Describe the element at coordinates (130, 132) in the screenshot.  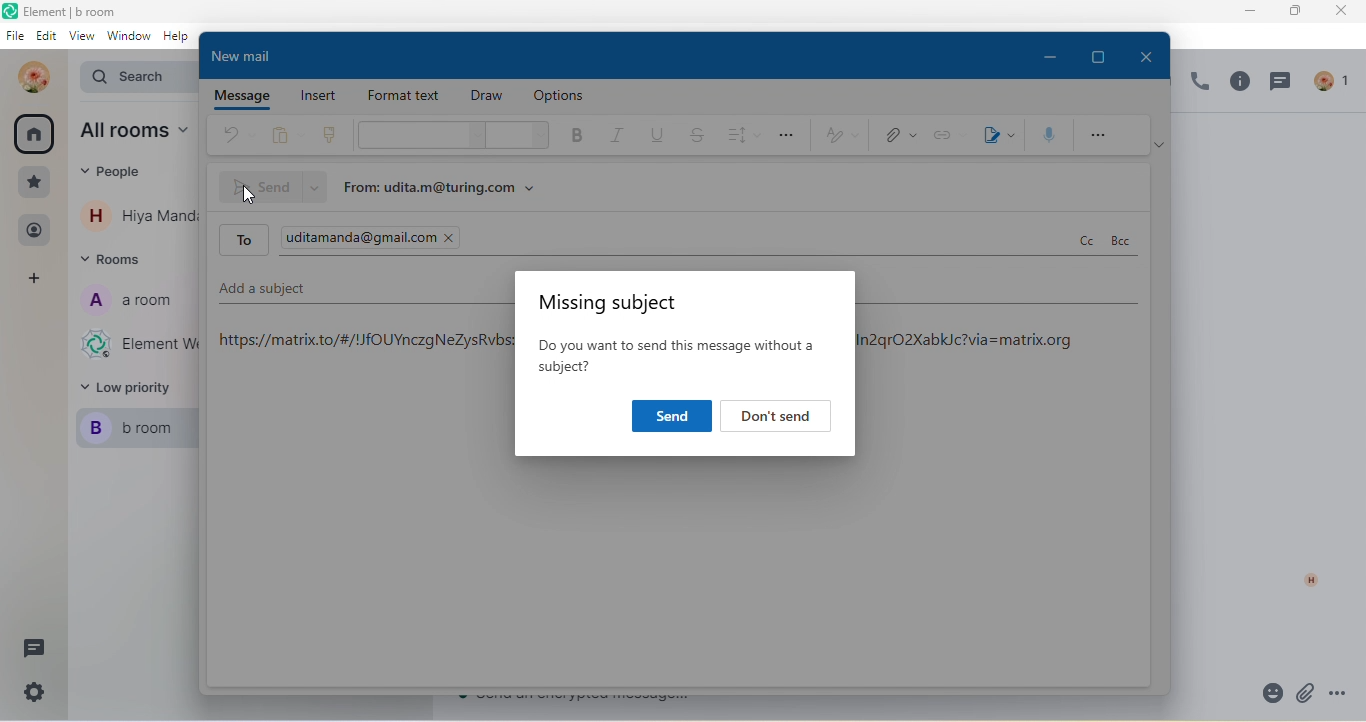
I see `all rooms` at that location.